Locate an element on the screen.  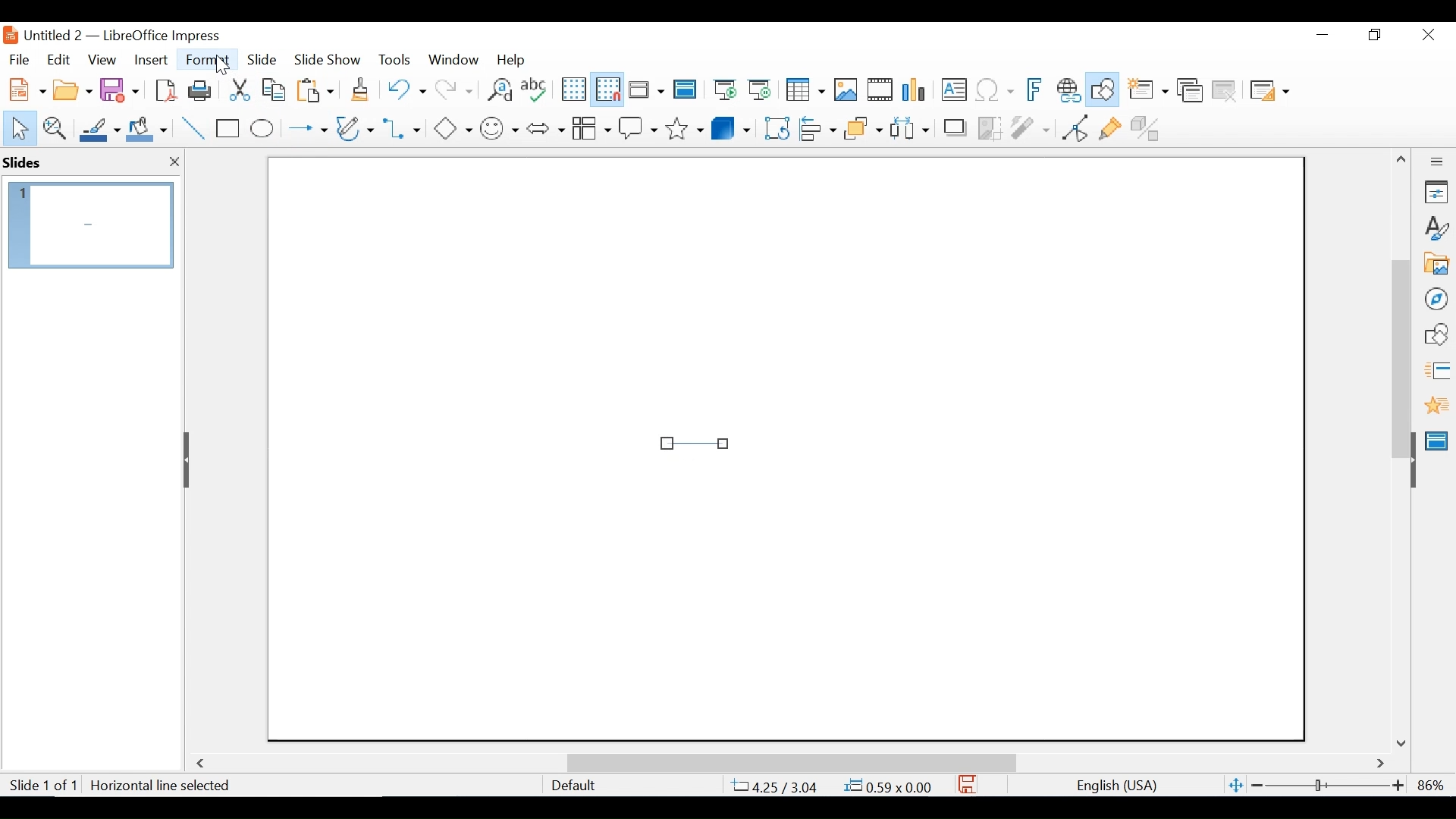
Print is located at coordinates (201, 89).